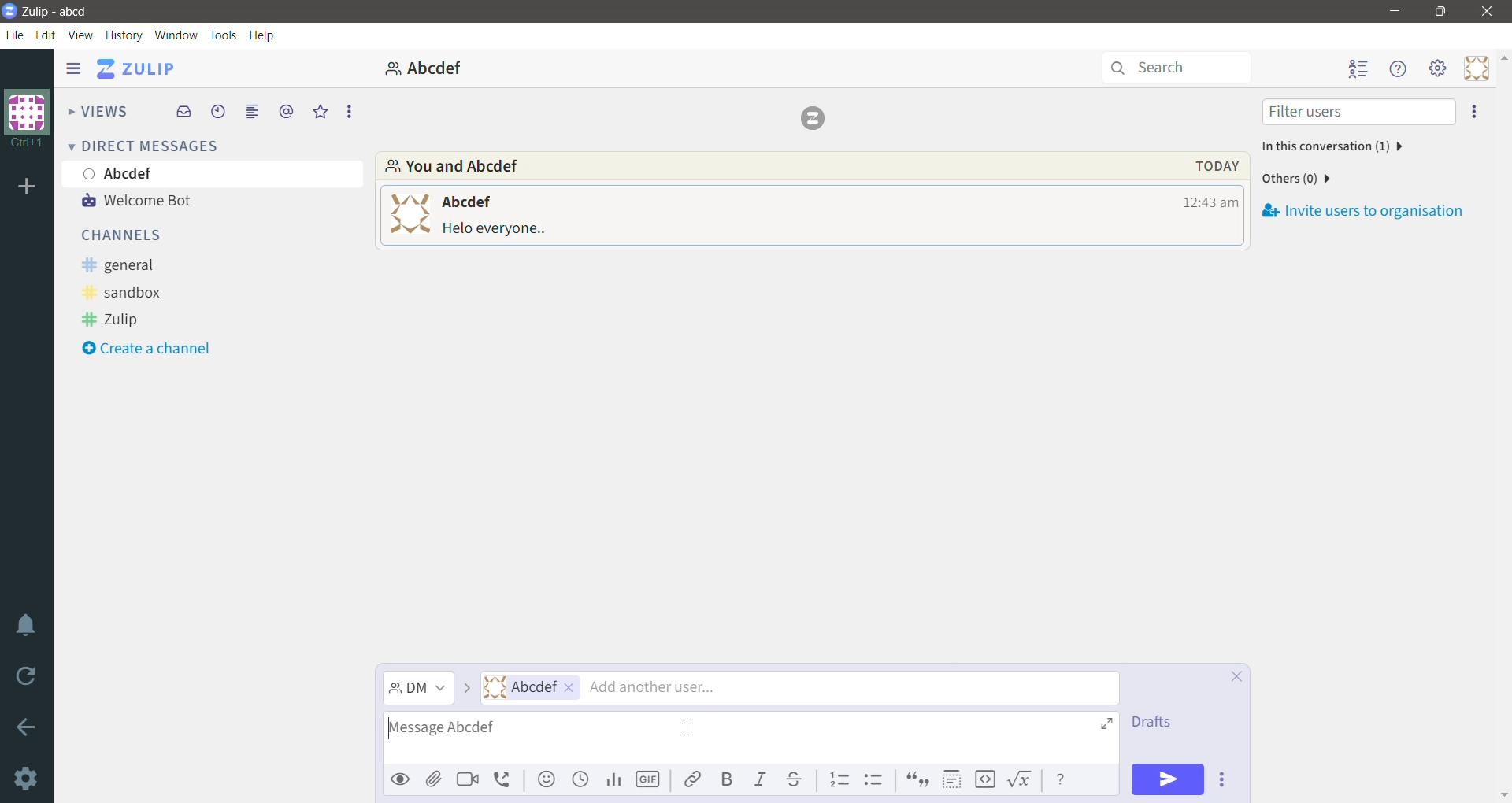 The height and width of the screenshot is (803, 1512). What do you see at coordinates (48, 35) in the screenshot?
I see `Edit` at bounding box center [48, 35].